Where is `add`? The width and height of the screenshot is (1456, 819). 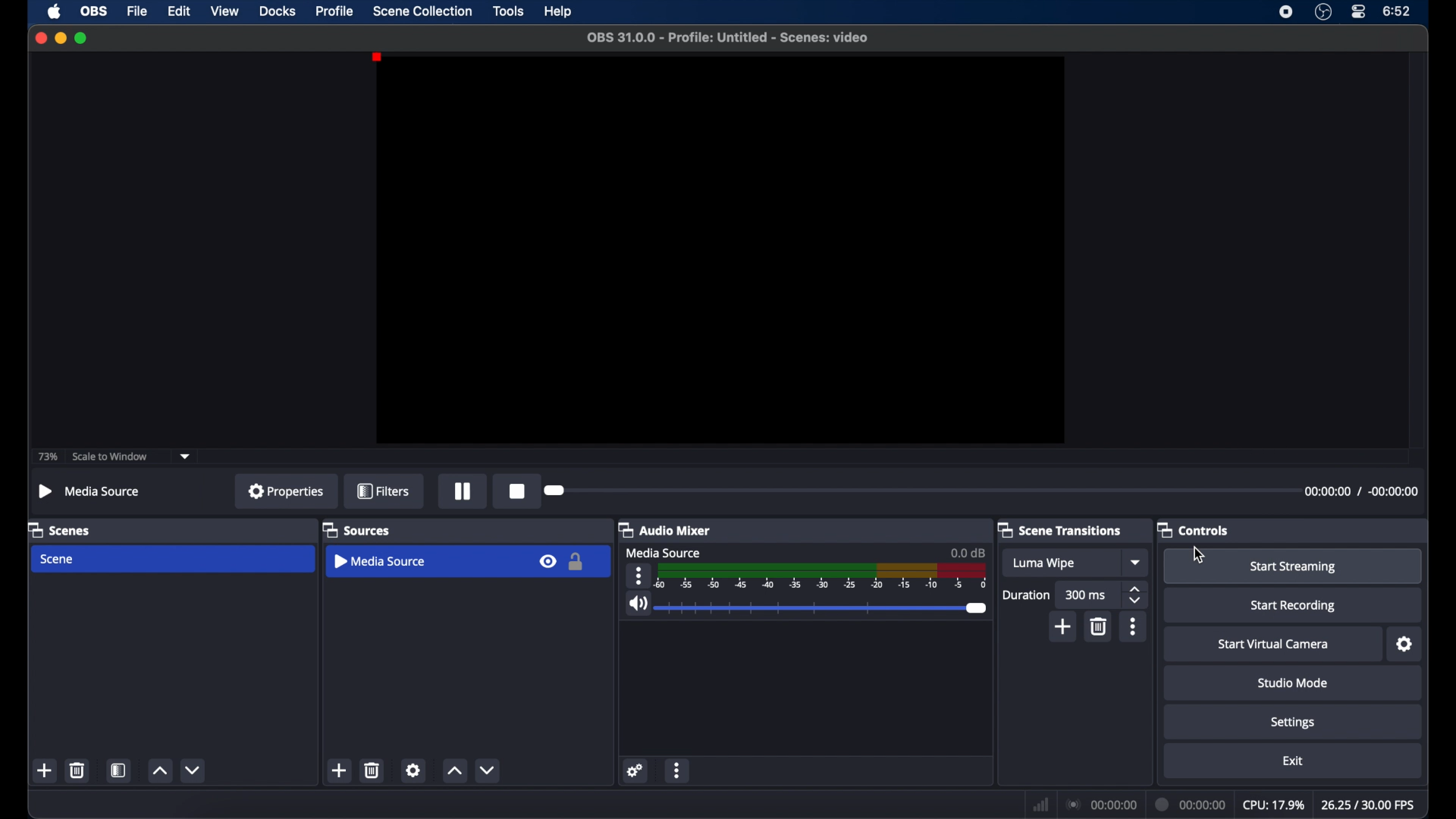
add is located at coordinates (45, 770).